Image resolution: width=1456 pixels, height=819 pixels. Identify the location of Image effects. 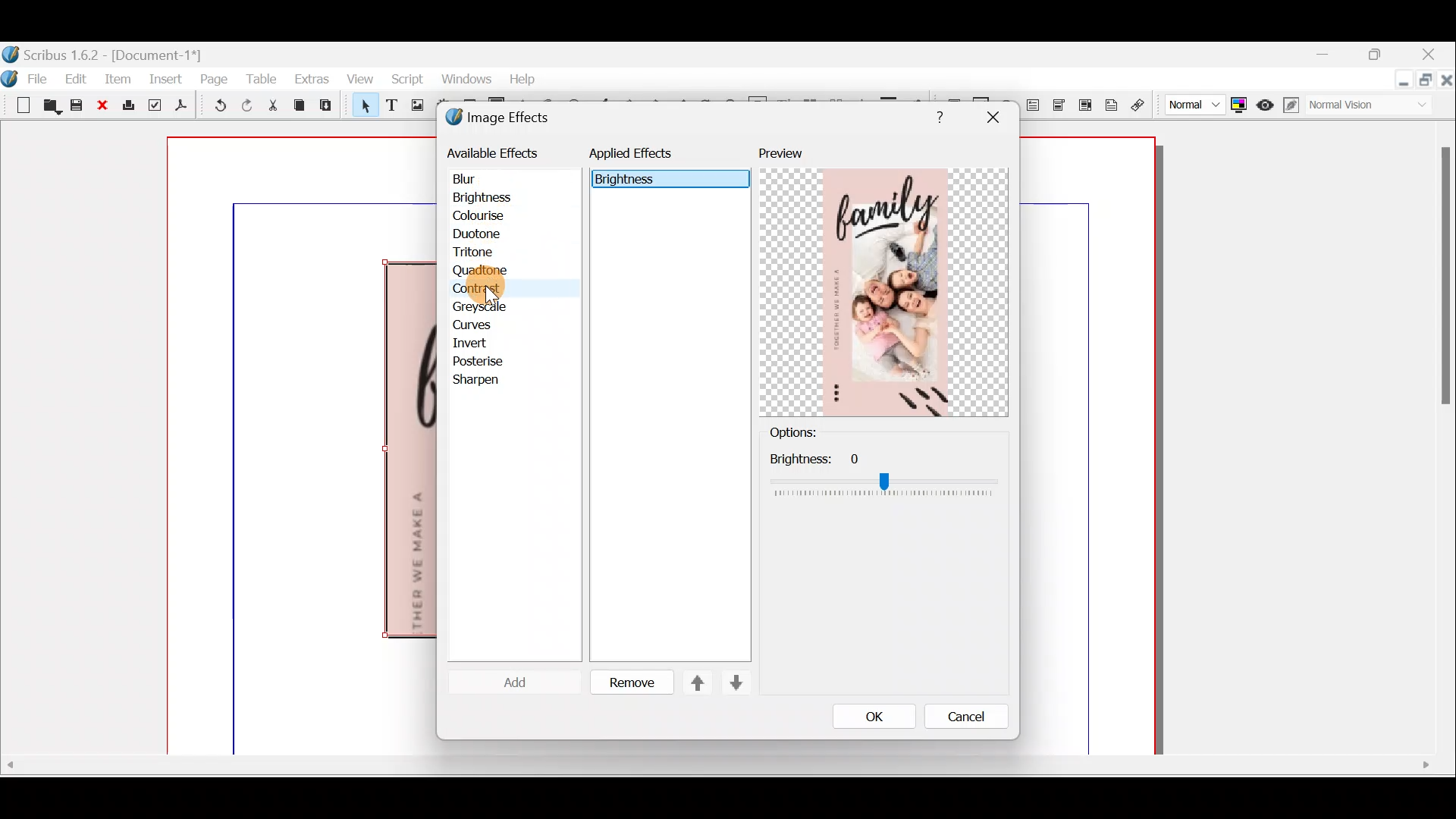
(507, 119).